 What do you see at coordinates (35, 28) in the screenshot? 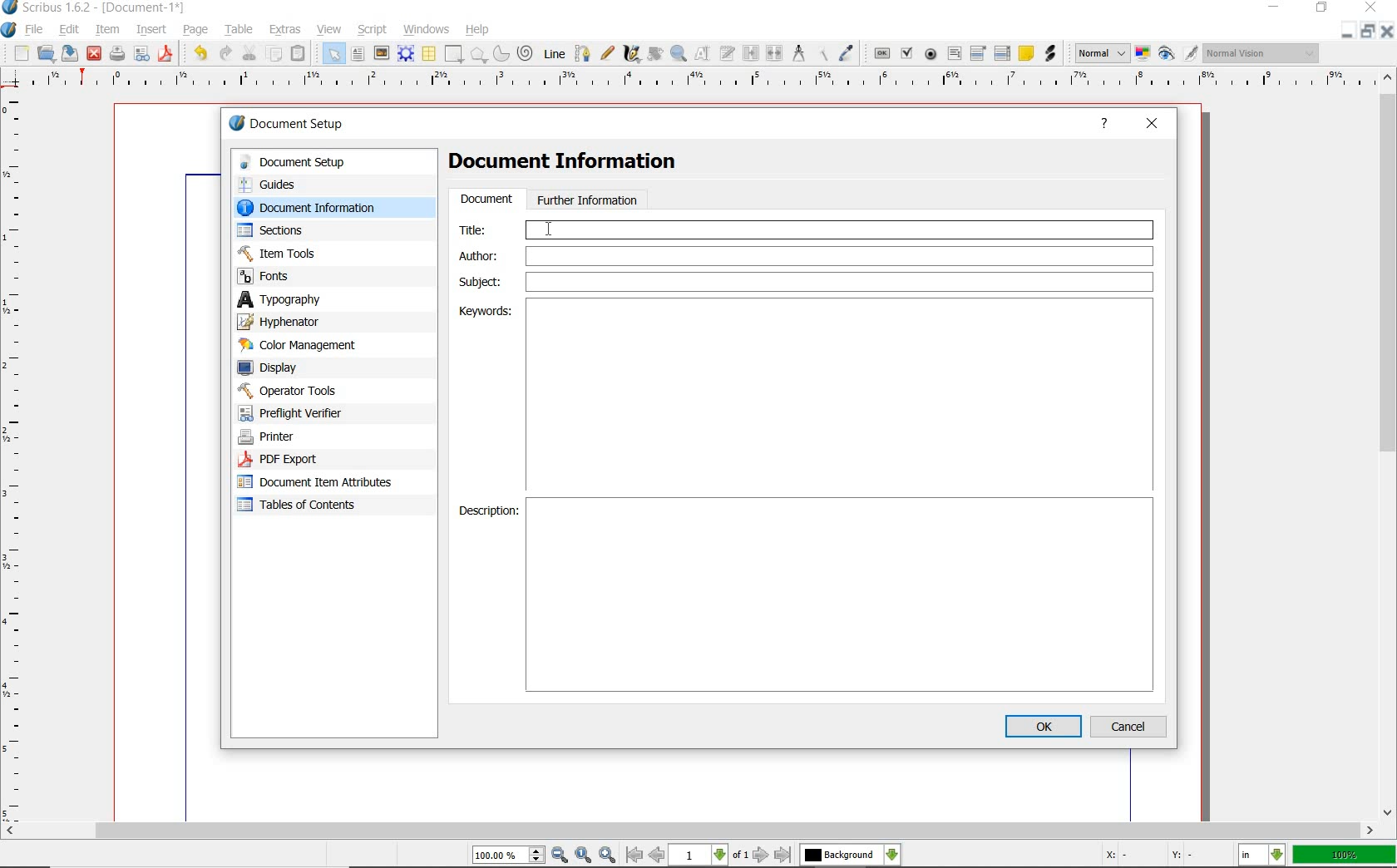
I see `file` at bounding box center [35, 28].